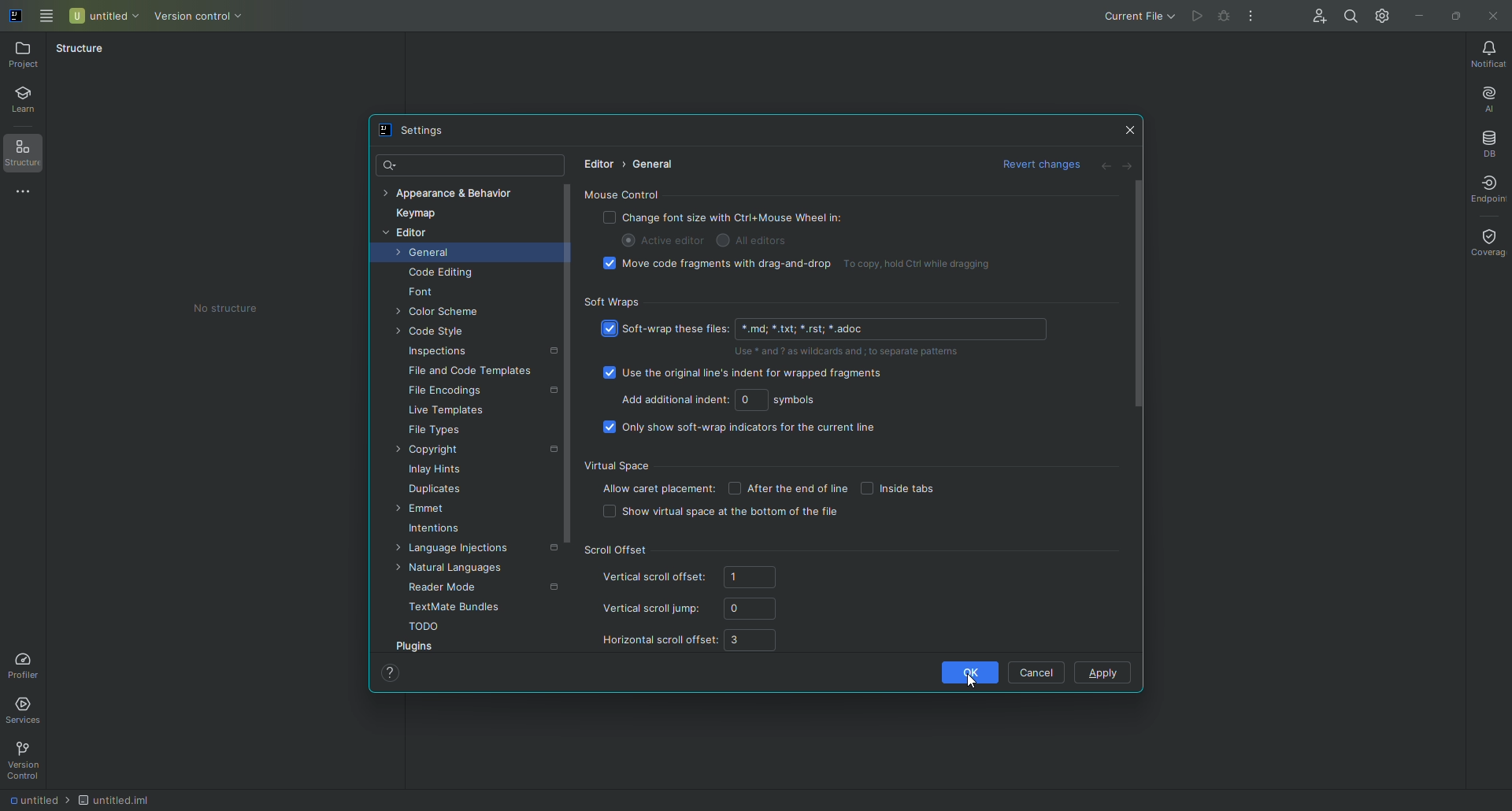  What do you see at coordinates (663, 240) in the screenshot?
I see `Active editor` at bounding box center [663, 240].